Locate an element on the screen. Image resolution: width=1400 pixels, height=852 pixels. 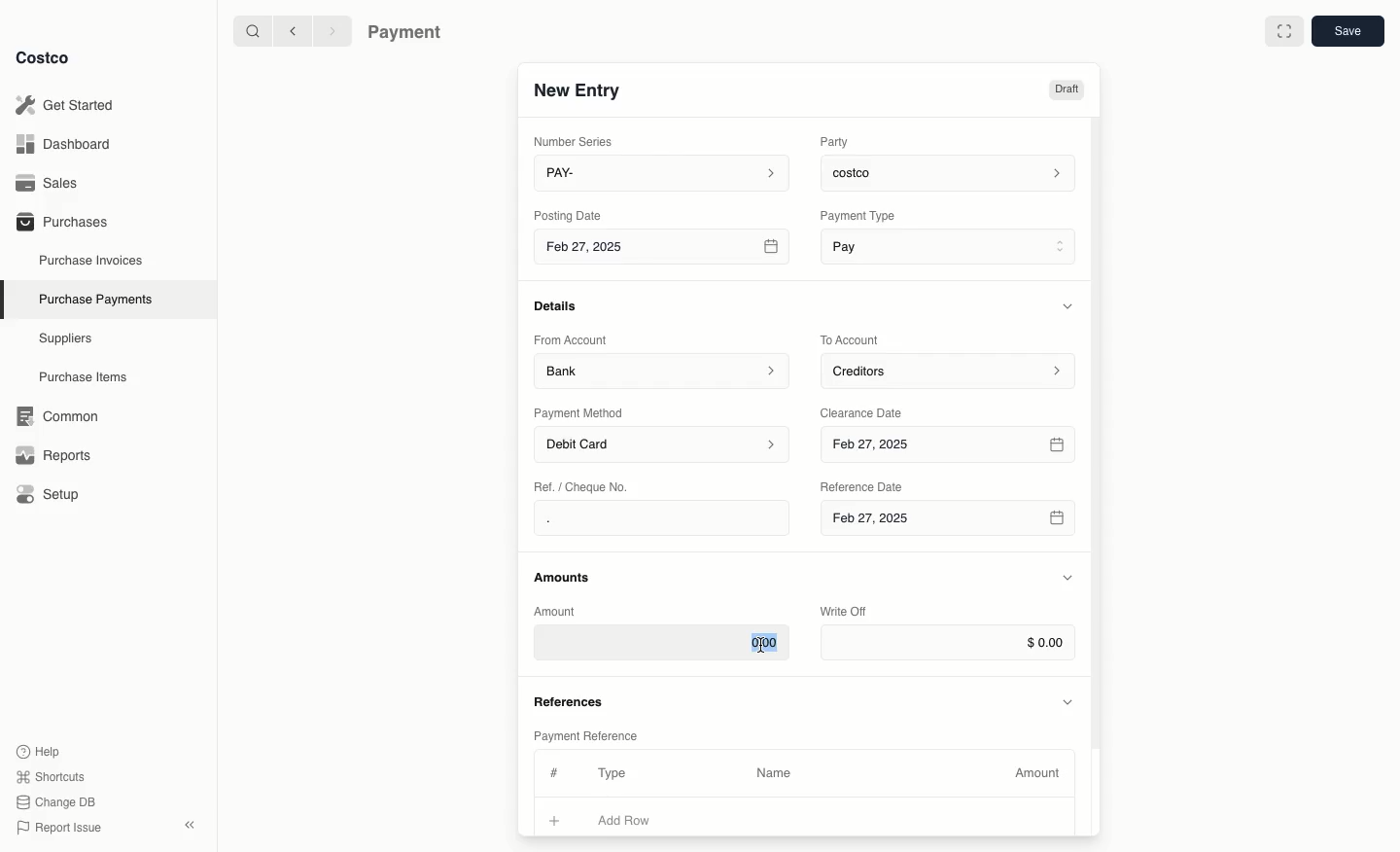
‘Common is located at coordinates (61, 413).